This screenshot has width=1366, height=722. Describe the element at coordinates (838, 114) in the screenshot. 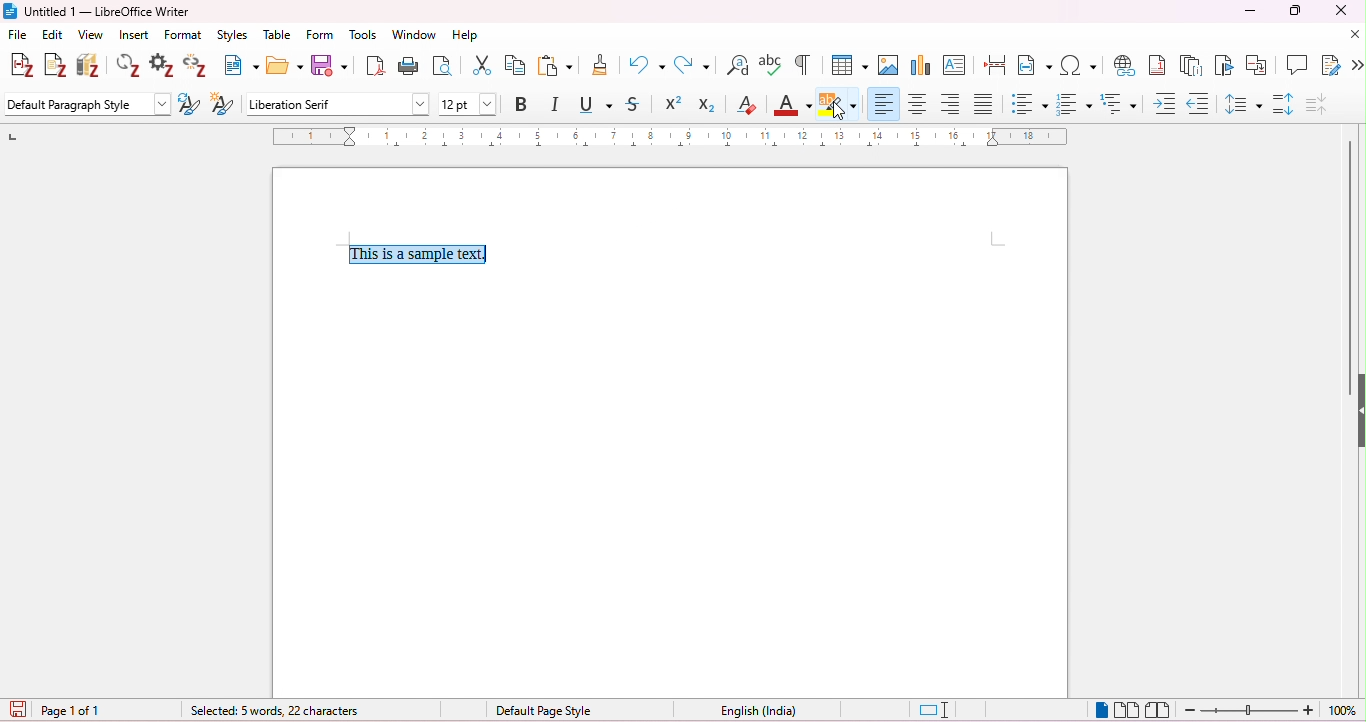

I see `cursor` at that location.